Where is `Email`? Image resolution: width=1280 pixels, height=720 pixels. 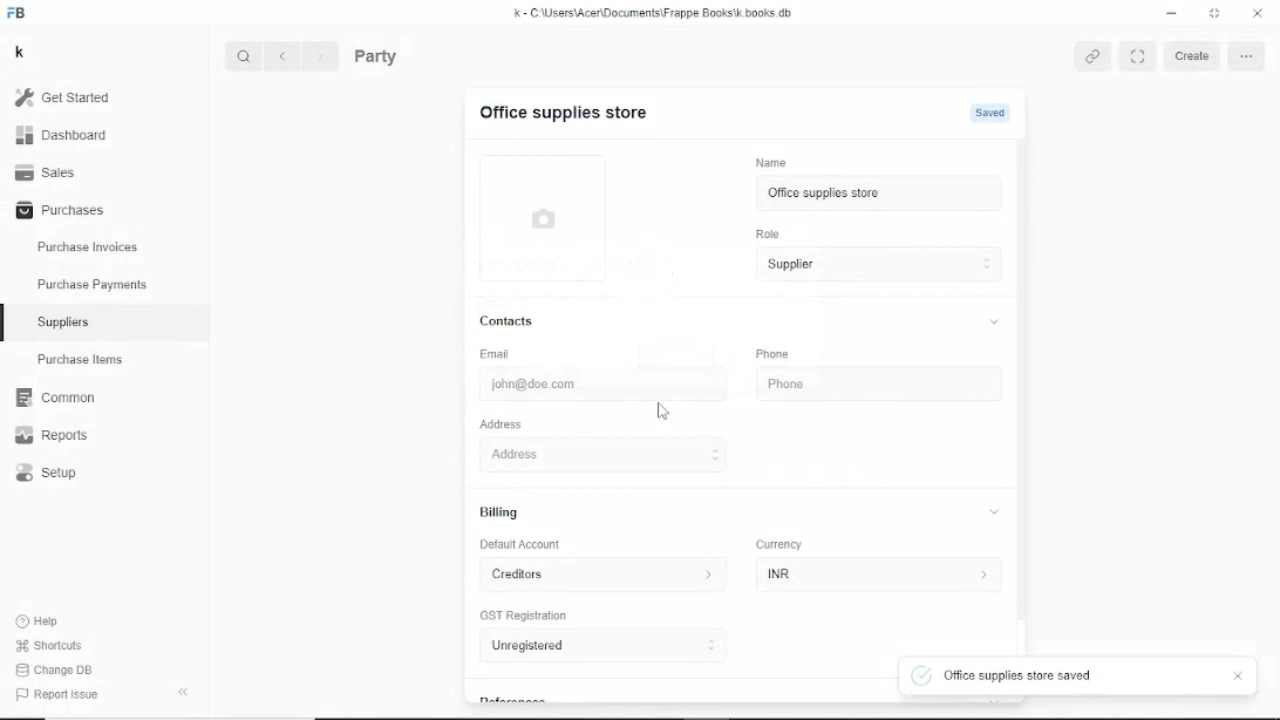 Email is located at coordinates (496, 354).